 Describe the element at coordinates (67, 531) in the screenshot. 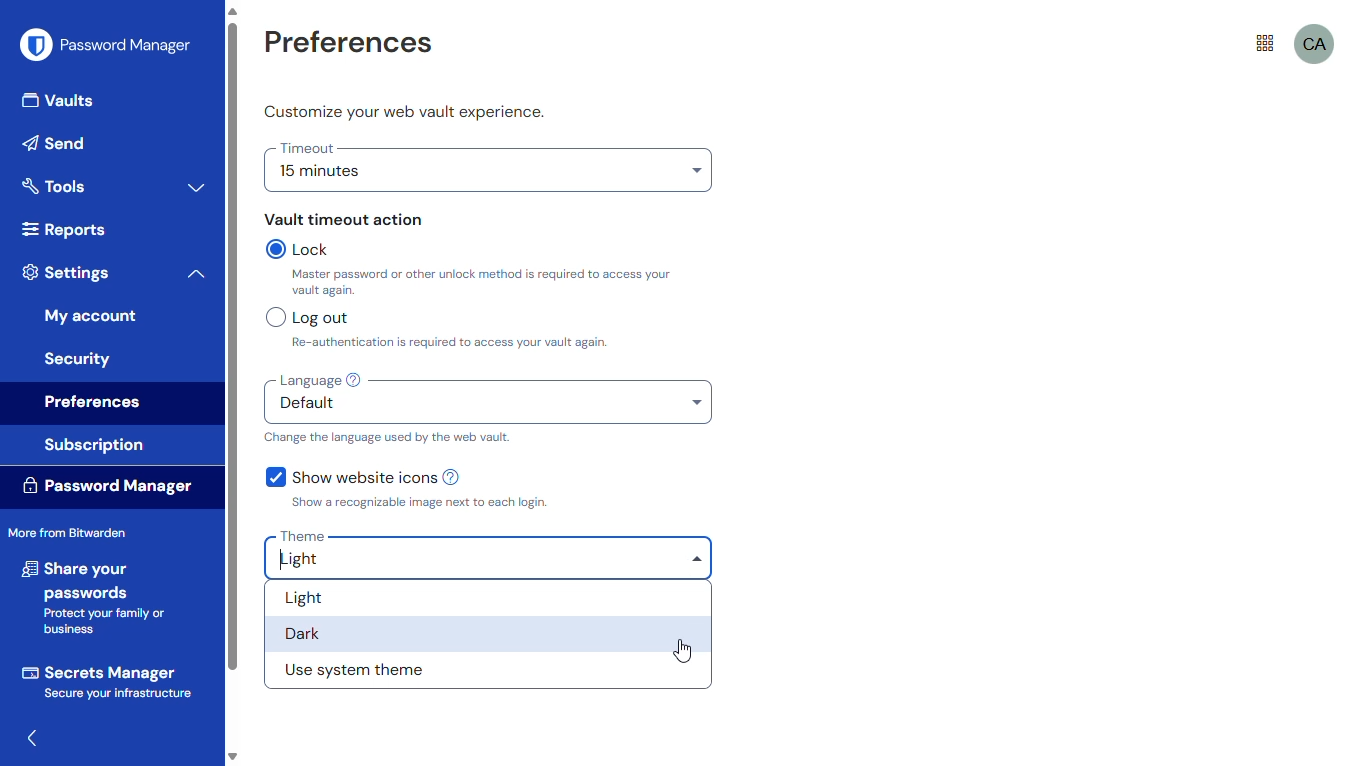

I see `more from bitwarden` at that location.